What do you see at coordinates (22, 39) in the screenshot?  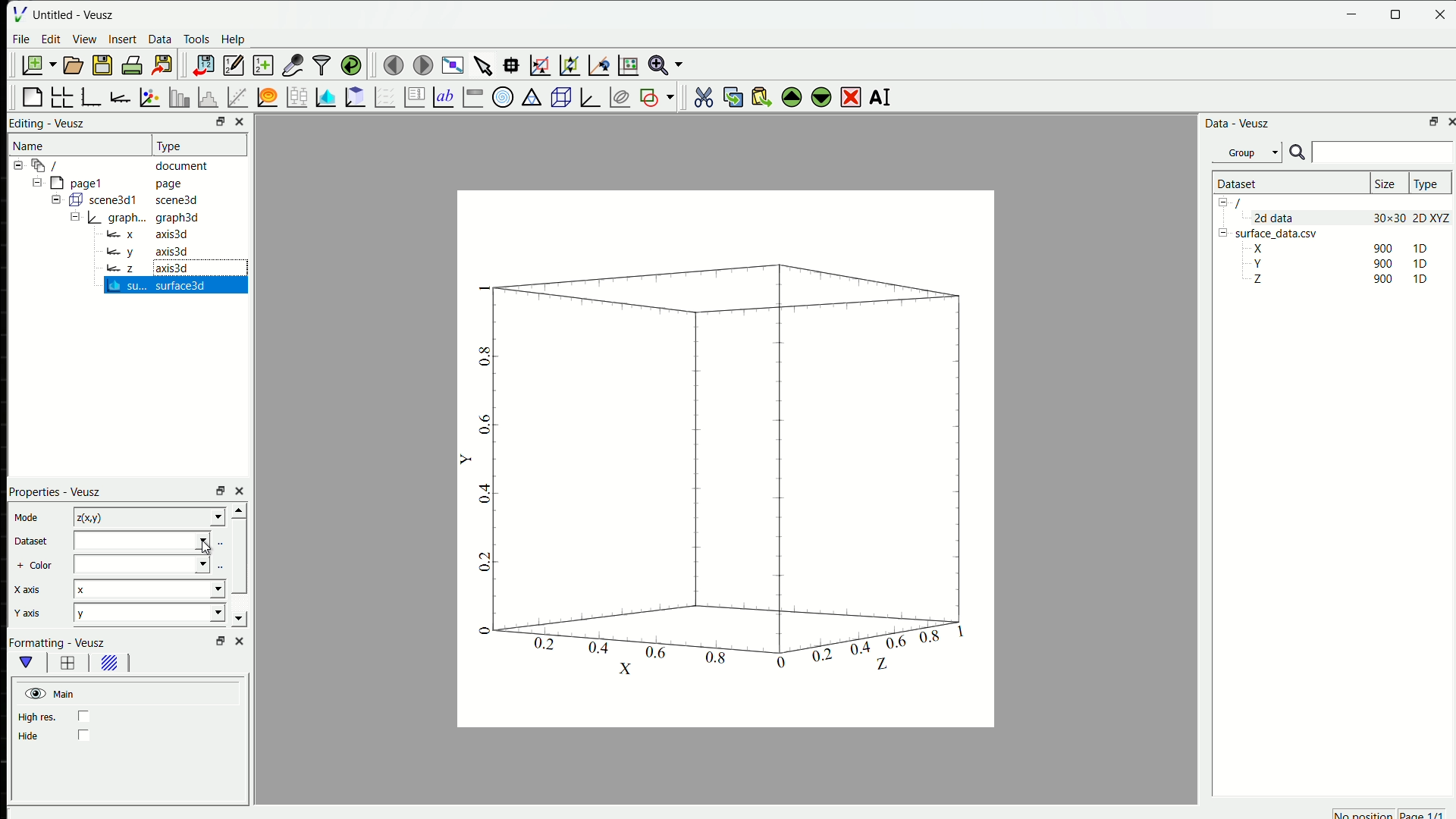 I see `File` at bounding box center [22, 39].